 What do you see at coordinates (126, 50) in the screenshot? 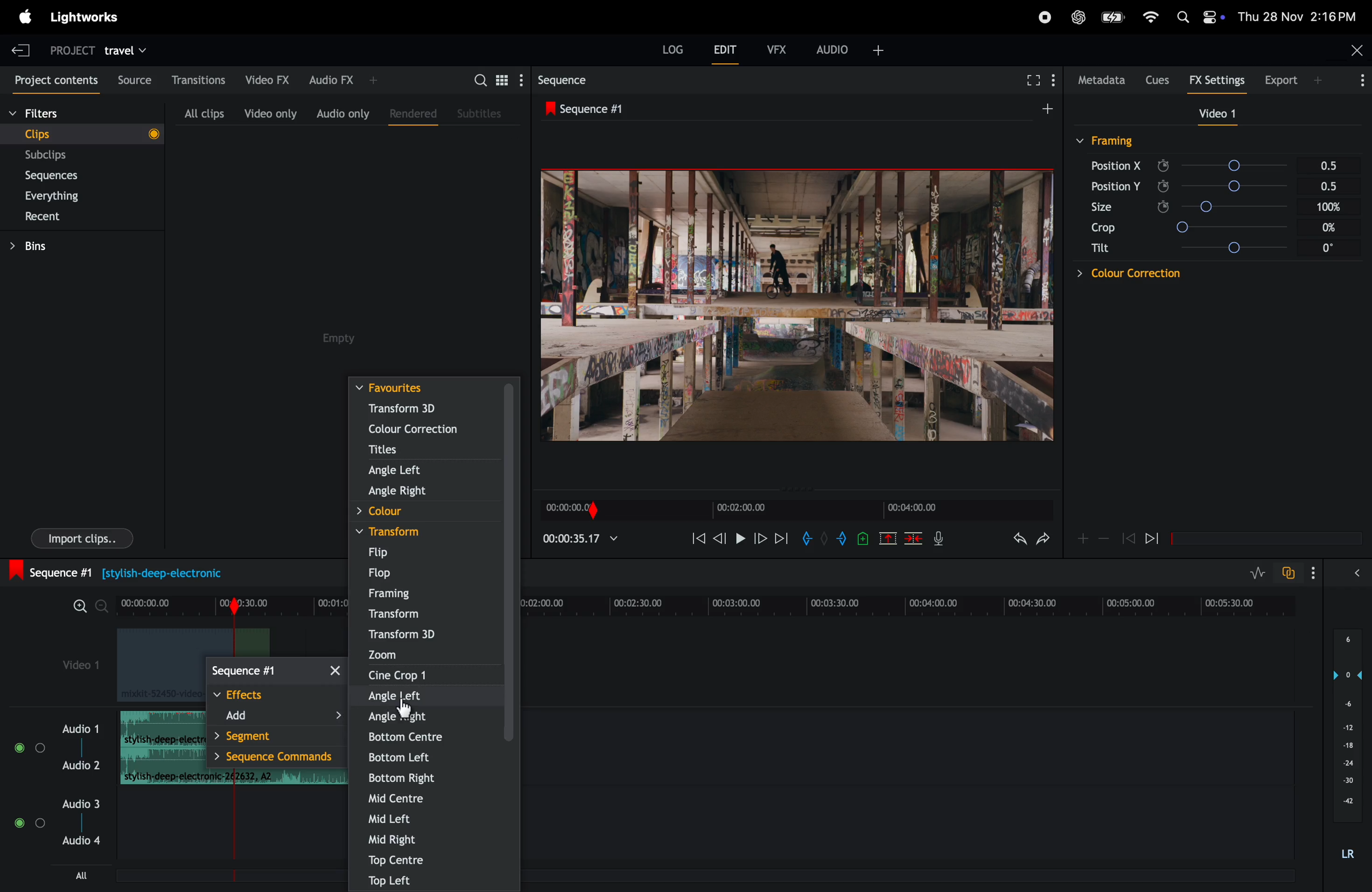
I see `travel` at bounding box center [126, 50].